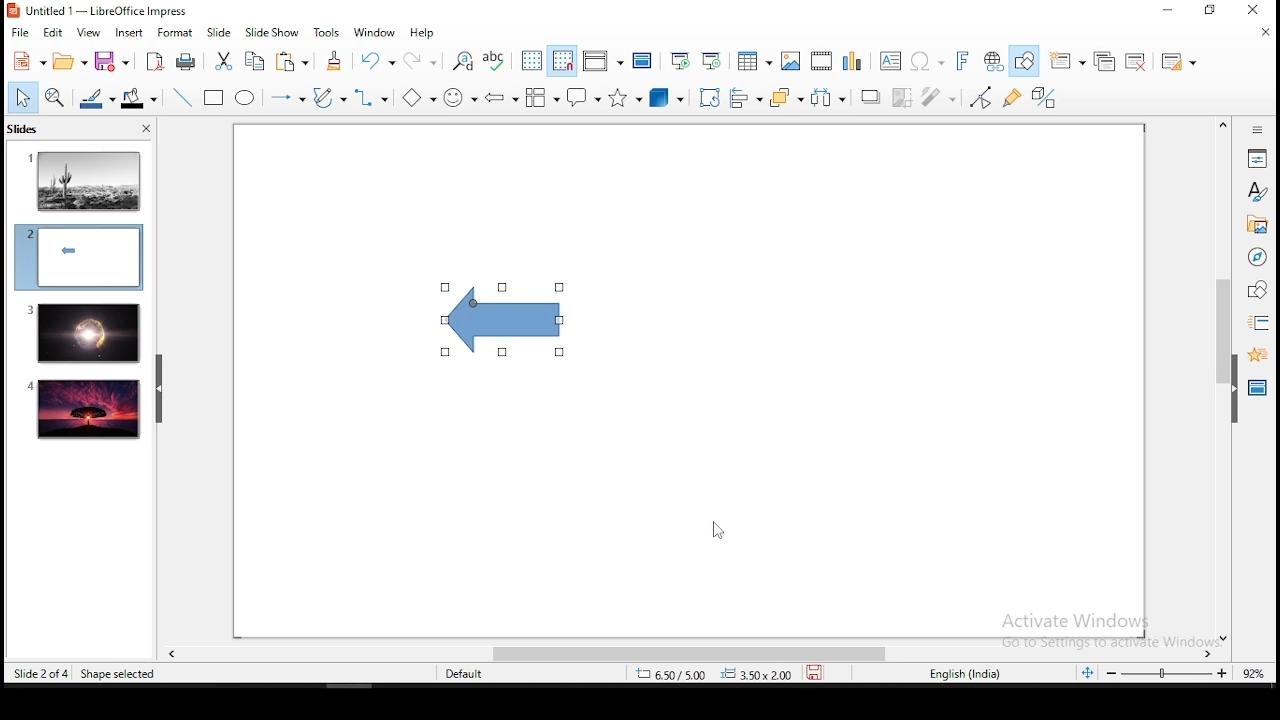 This screenshot has height=720, width=1280. I want to click on shapes, so click(1255, 290).